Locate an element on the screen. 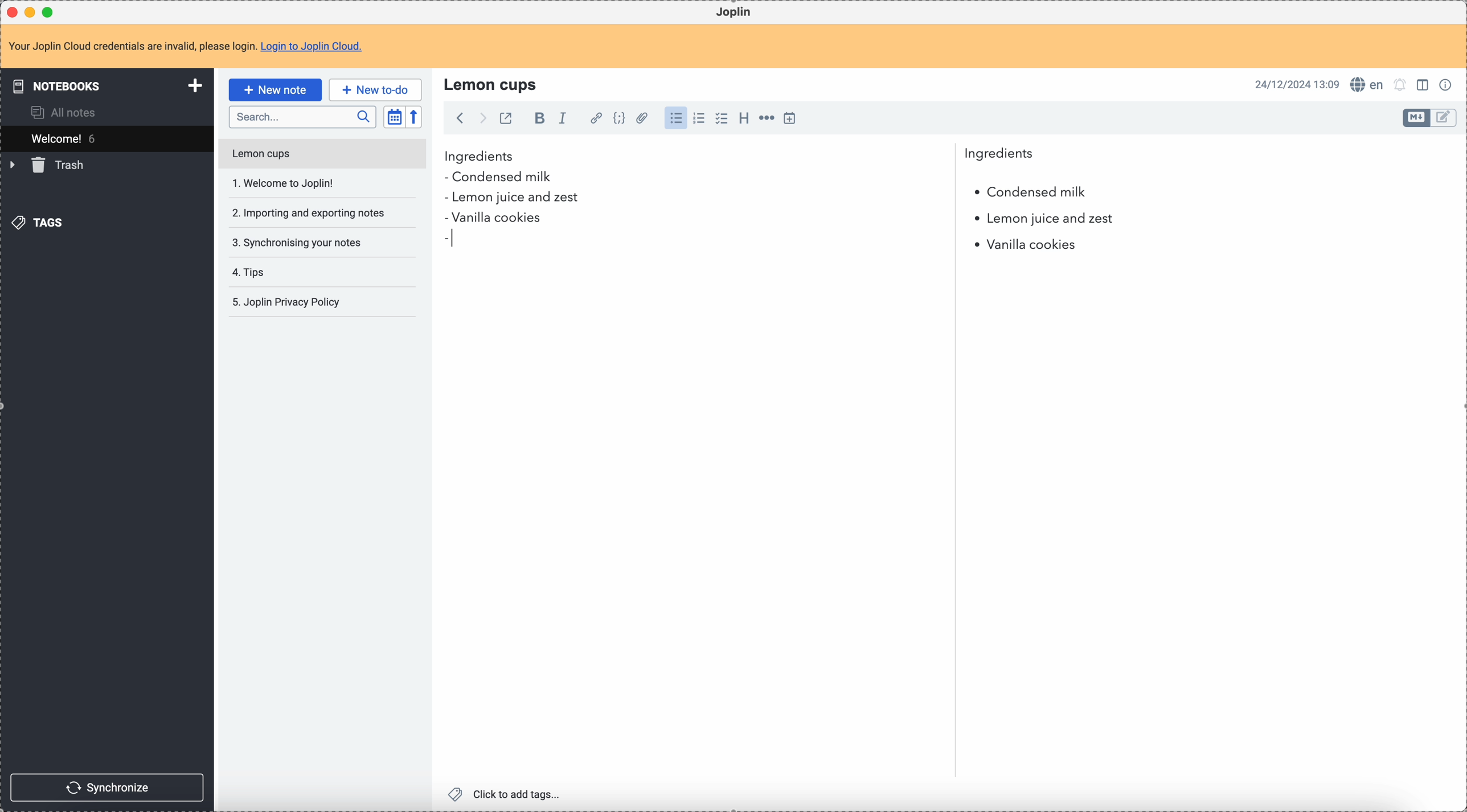  lemon cups is located at coordinates (493, 84).